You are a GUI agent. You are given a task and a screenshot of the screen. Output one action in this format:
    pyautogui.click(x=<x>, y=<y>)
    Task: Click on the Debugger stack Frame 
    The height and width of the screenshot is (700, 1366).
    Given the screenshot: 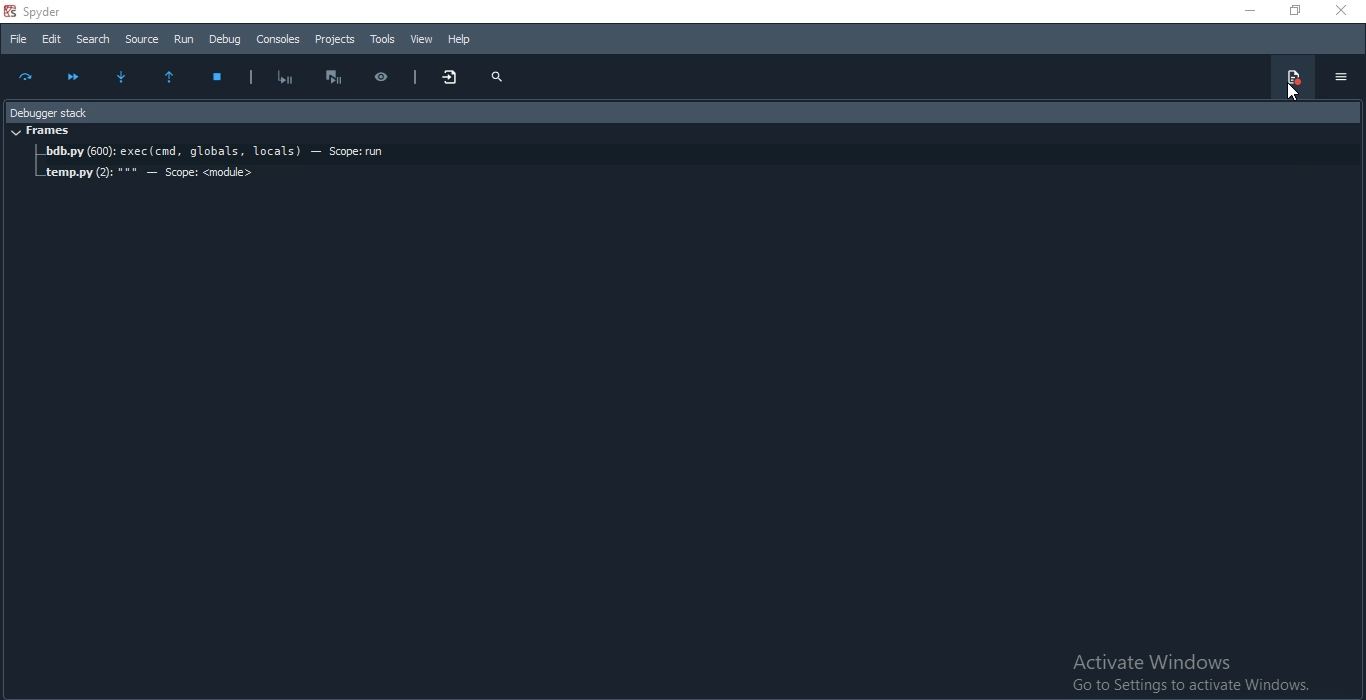 What is the action you would take?
    pyautogui.click(x=681, y=110)
    